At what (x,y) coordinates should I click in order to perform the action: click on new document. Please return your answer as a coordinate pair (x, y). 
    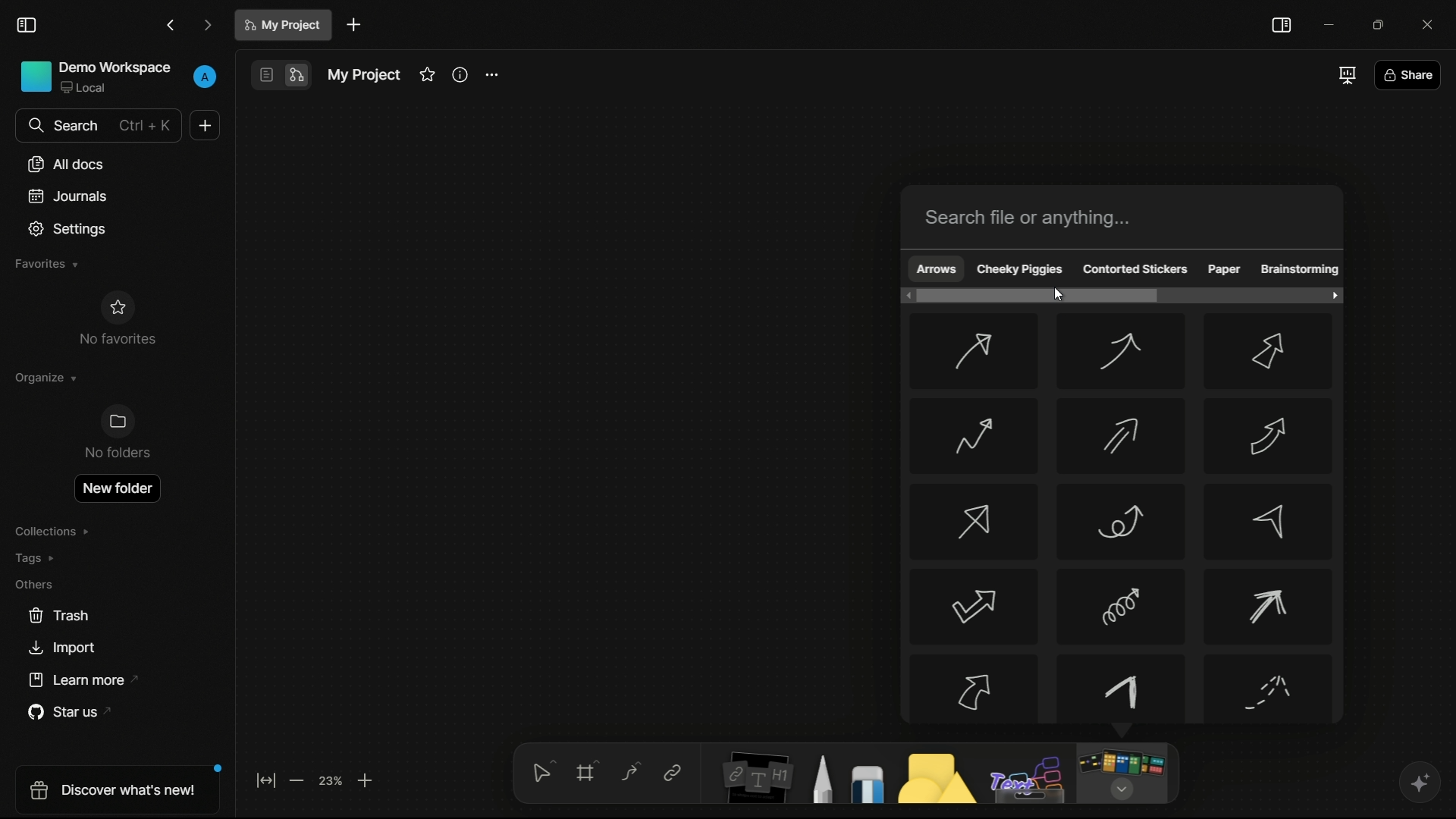
    Looking at the image, I should click on (205, 125).